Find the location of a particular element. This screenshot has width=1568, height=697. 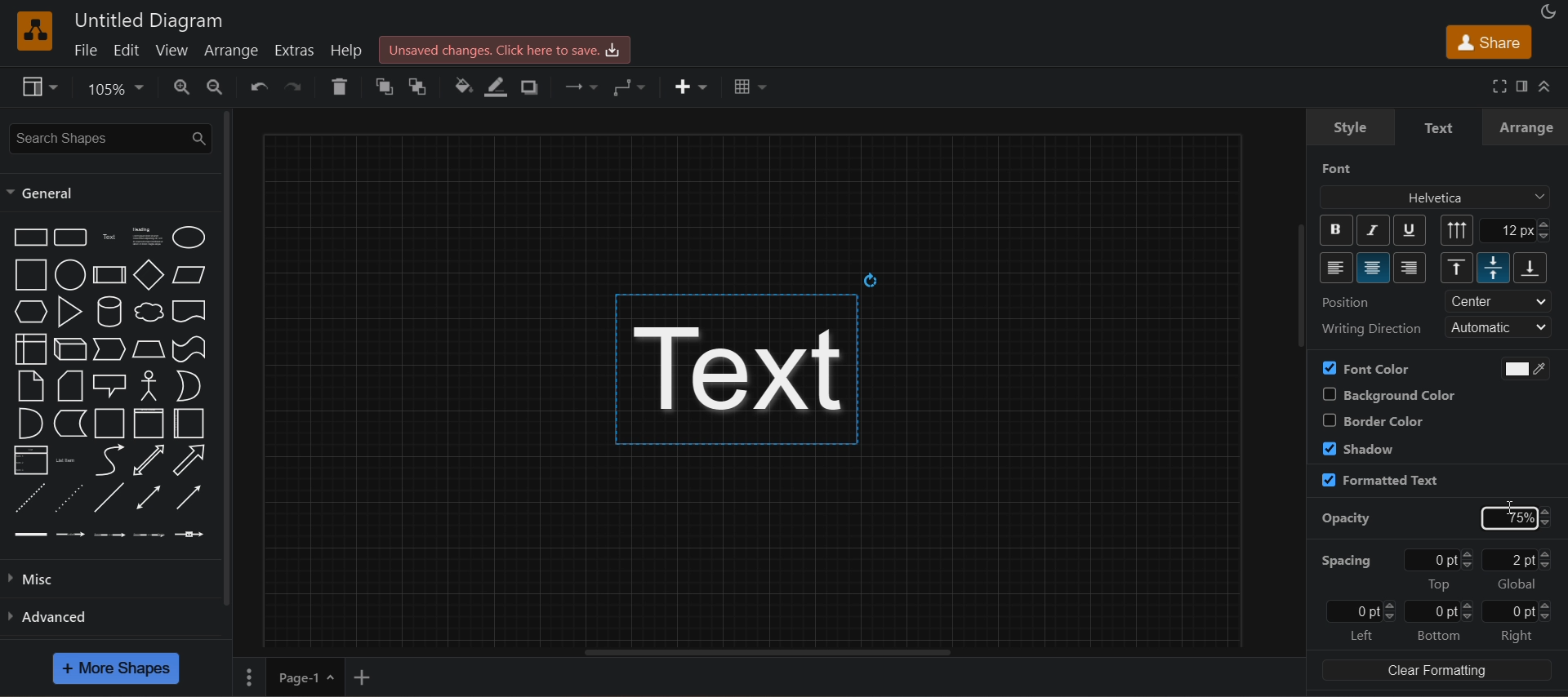

text is located at coordinates (1441, 128).